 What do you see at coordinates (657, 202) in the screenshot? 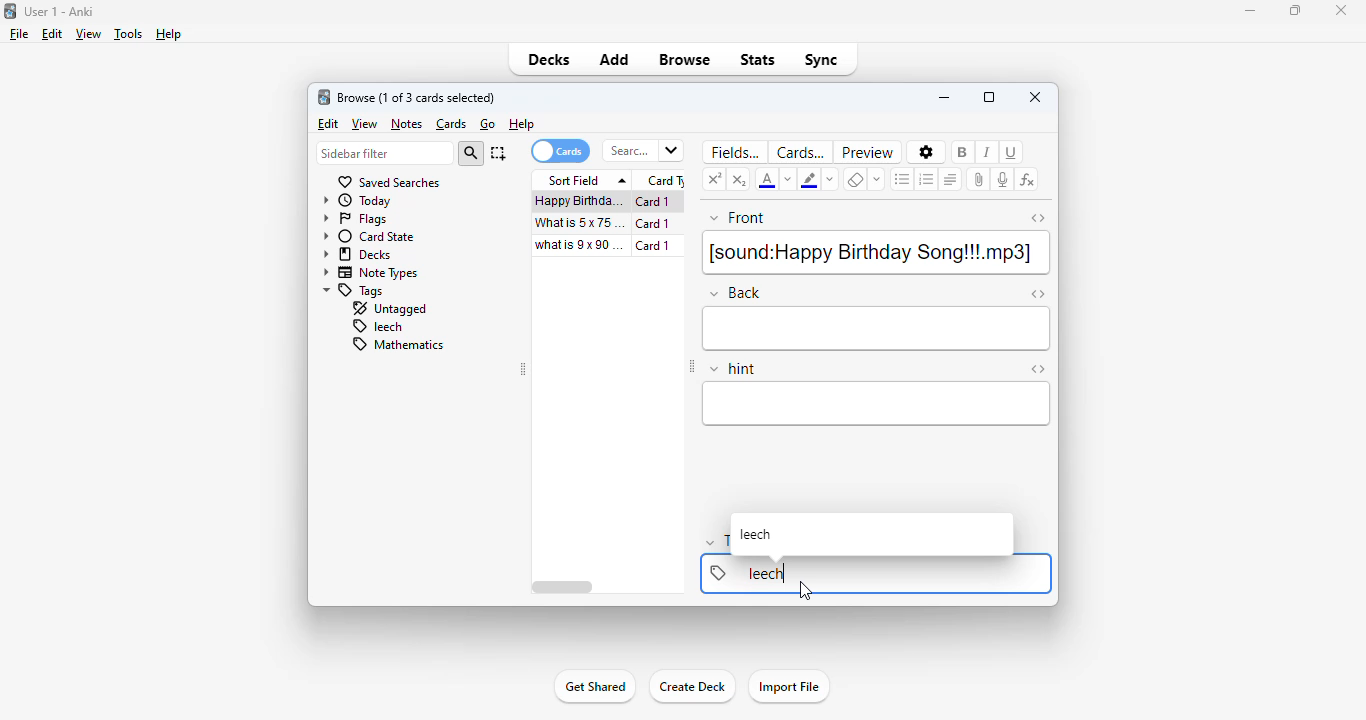
I see `card 1` at bounding box center [657, 202].